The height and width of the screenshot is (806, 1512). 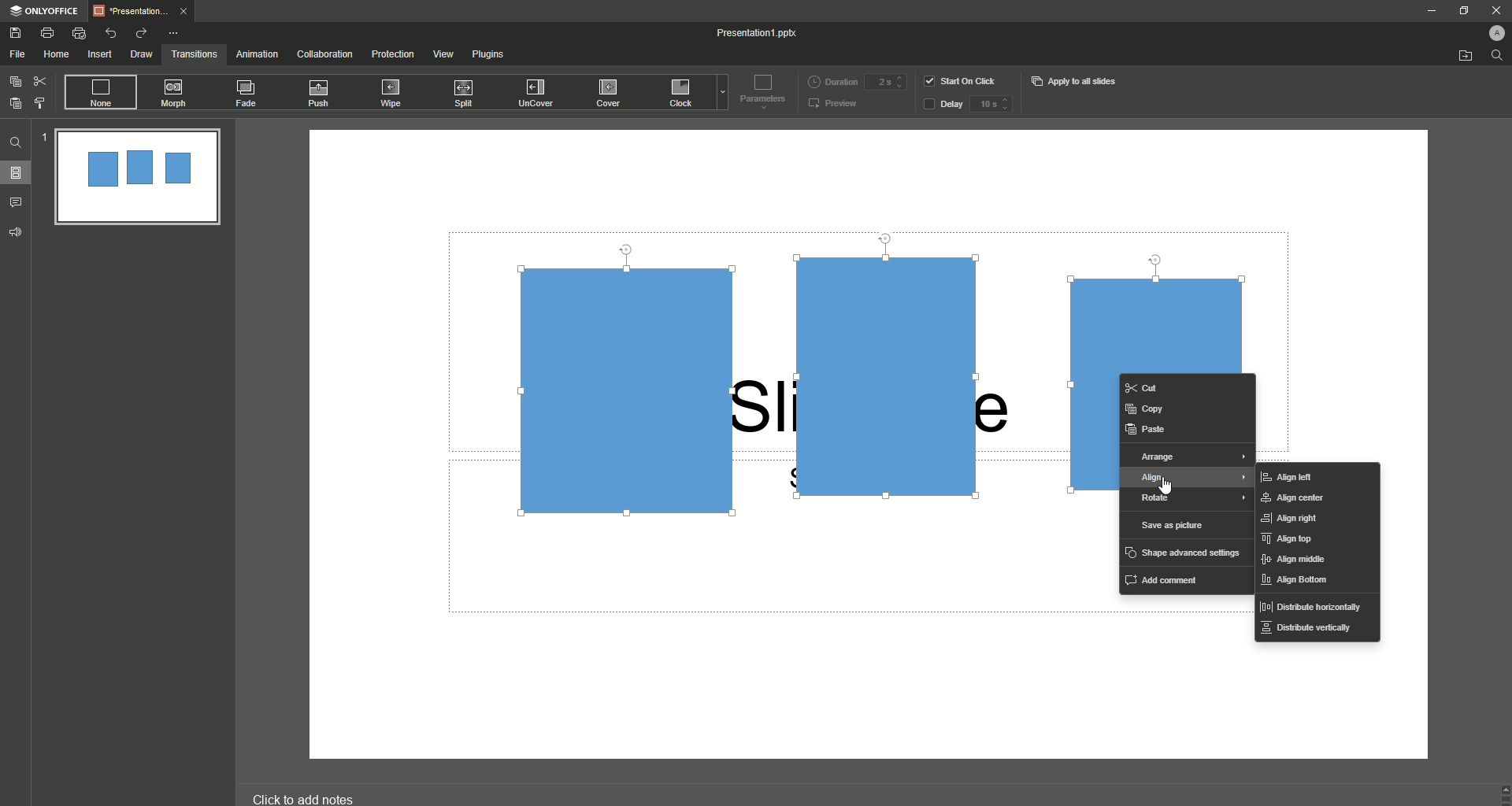 I want to click on Choose Style, so click(x=40, y=103).